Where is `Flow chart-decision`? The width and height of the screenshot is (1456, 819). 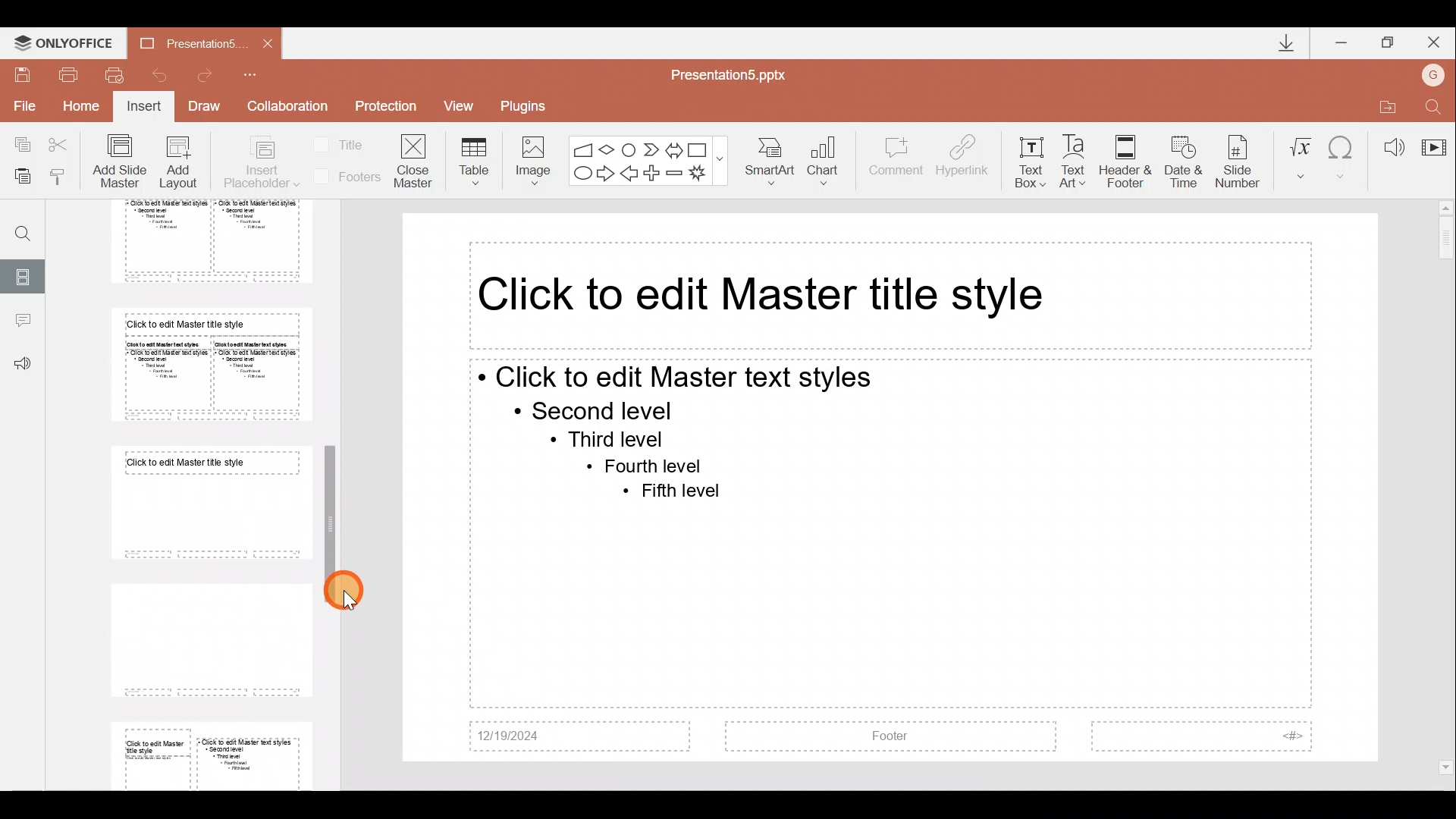
Flow chart-decision is located at coordinates (609, 149).